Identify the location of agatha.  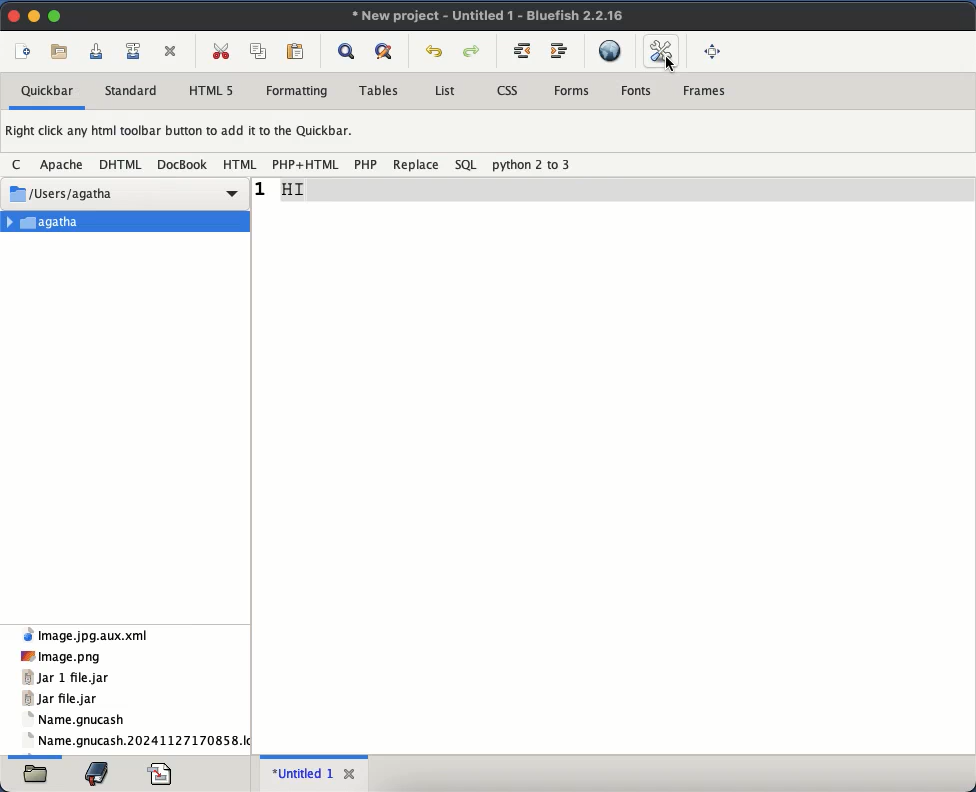
(127, 220).